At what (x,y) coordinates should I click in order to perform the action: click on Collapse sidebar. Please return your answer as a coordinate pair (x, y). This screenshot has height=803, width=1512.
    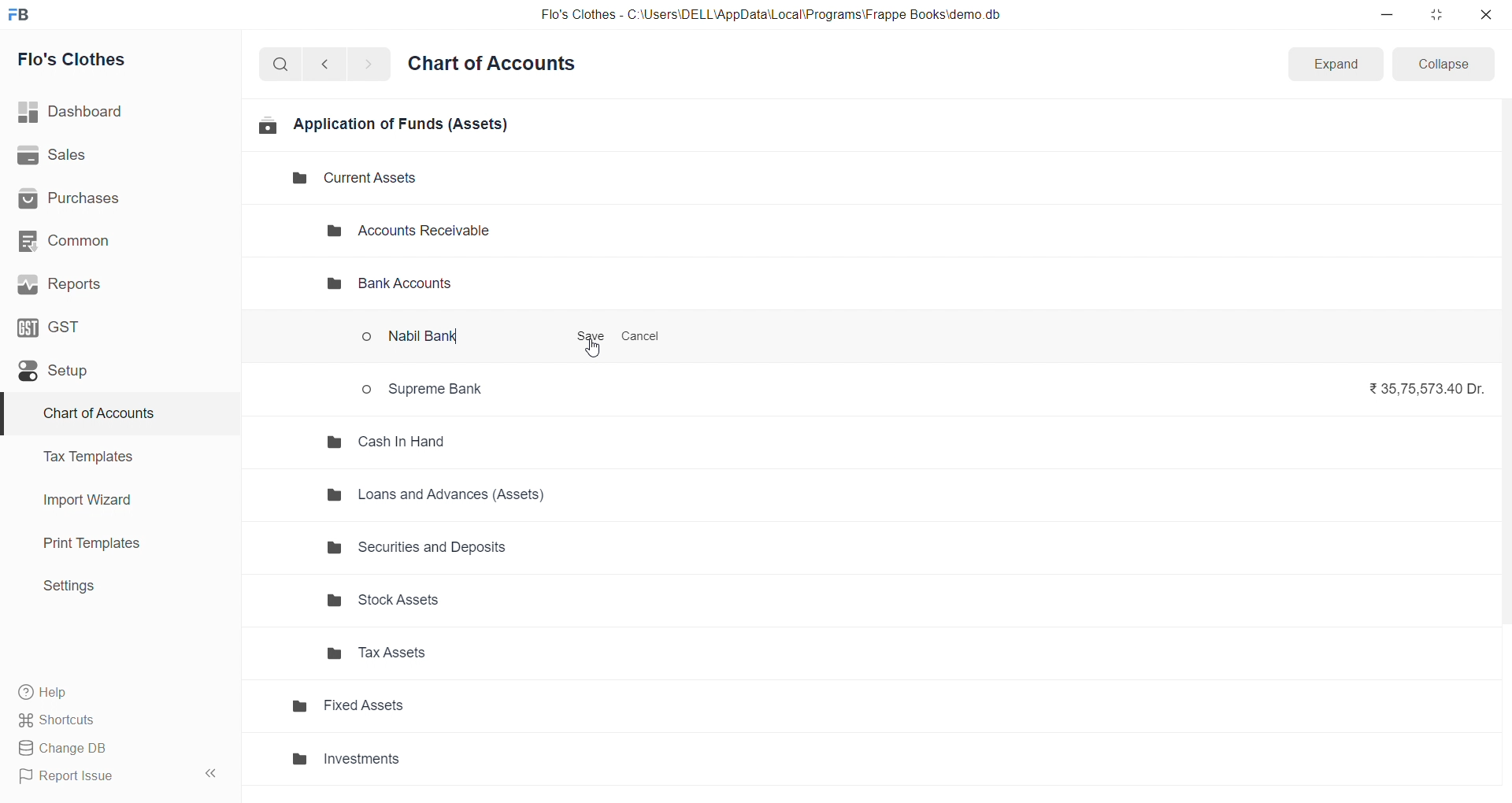
    Looking at the image, I should click on (213, 776).